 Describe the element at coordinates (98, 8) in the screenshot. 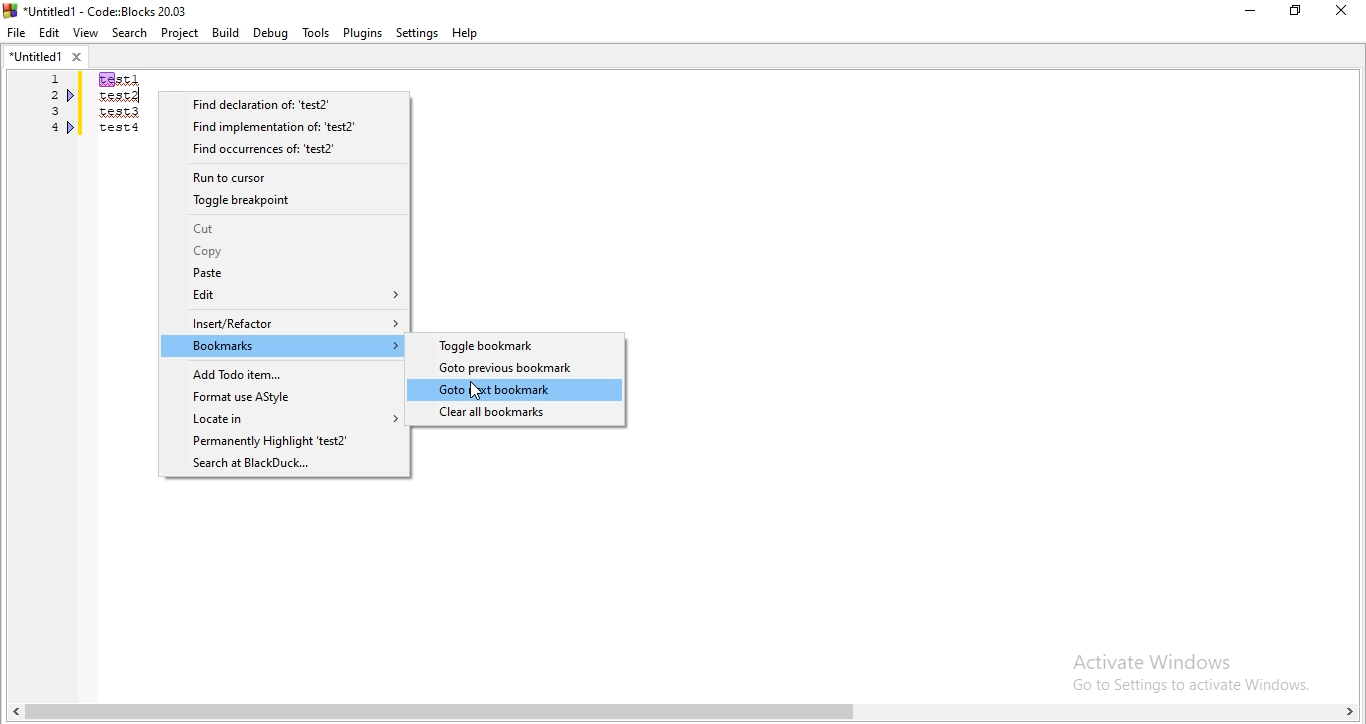

I see `Untitled - Code:: blocks 2003` at that location.